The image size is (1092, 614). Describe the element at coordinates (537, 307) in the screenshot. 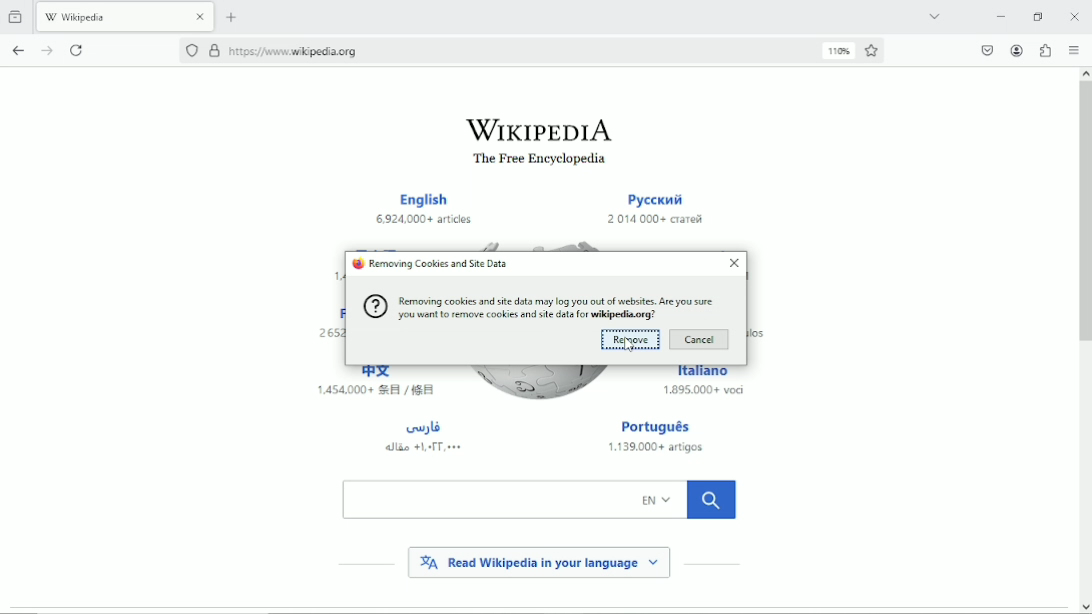

I see `| Removing cookies and sit data may log you out of websites. Ave you sure:
SA SE` at that location.